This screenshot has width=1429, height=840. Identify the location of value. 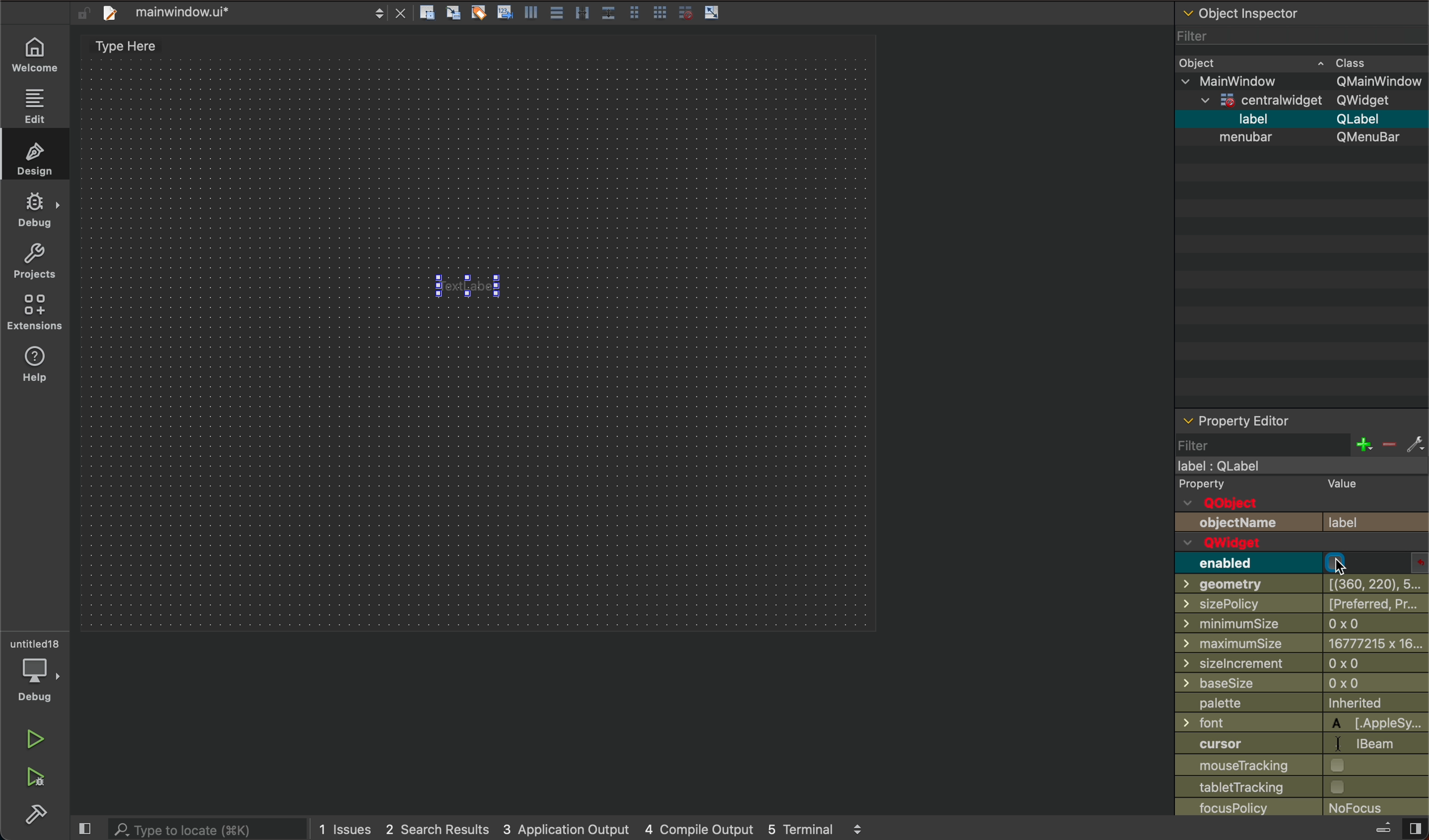
(1352, 484).